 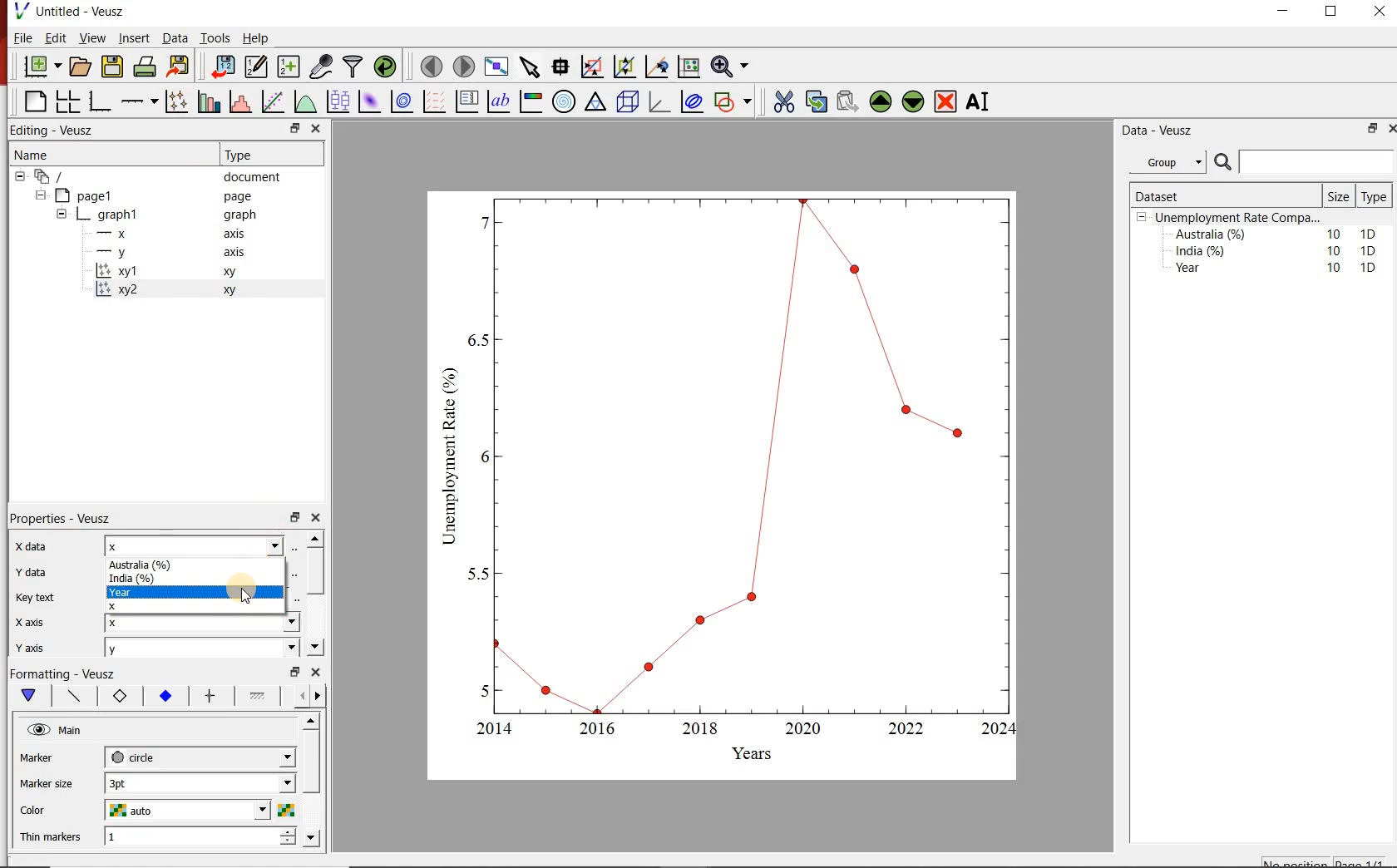 What do you see at coordinates (311, 838) in the screenshot?
I see `move down` at bounding box center [311, 838].